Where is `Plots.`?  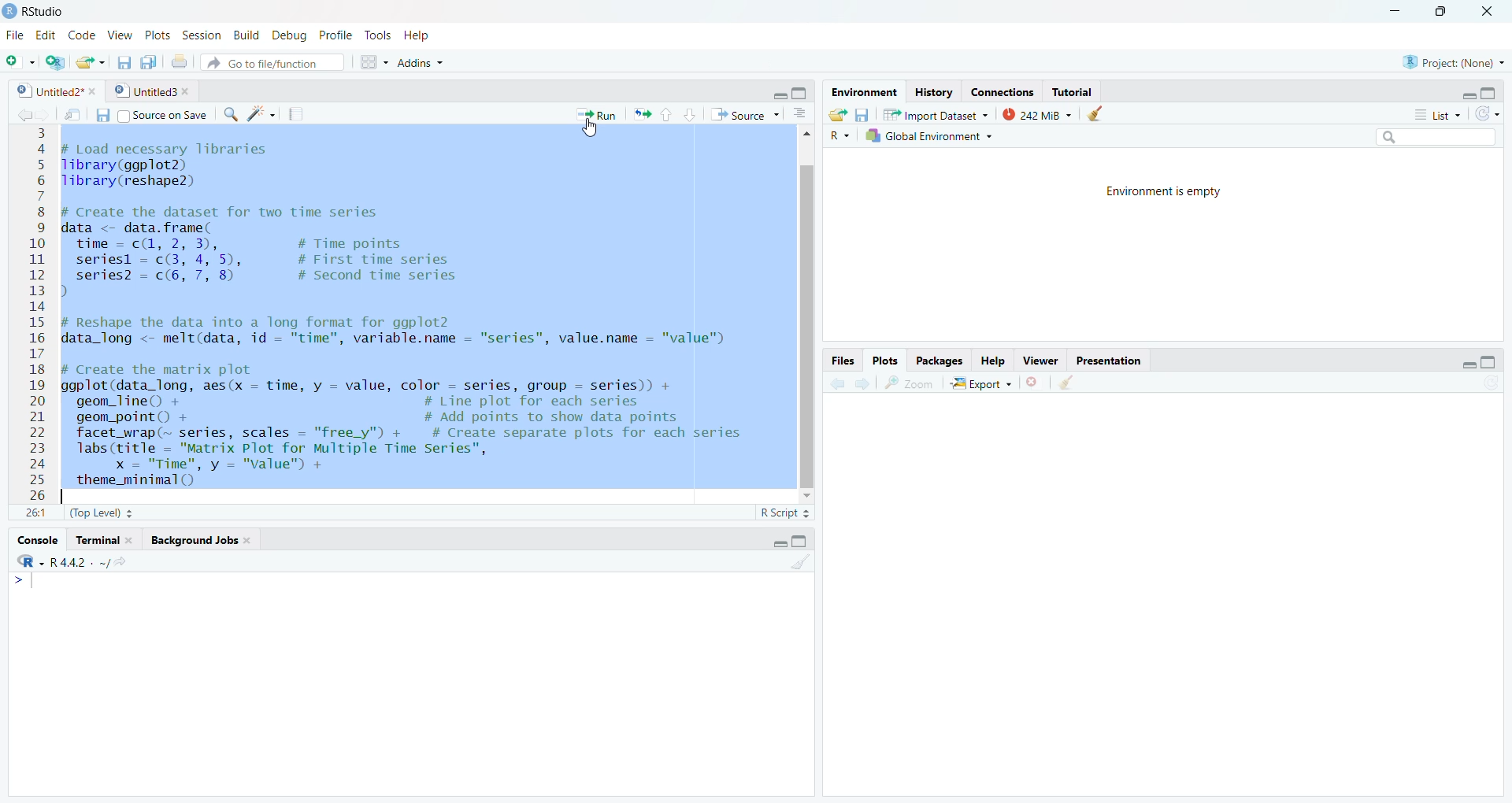 Plots. is located at coordinates (885, 360).